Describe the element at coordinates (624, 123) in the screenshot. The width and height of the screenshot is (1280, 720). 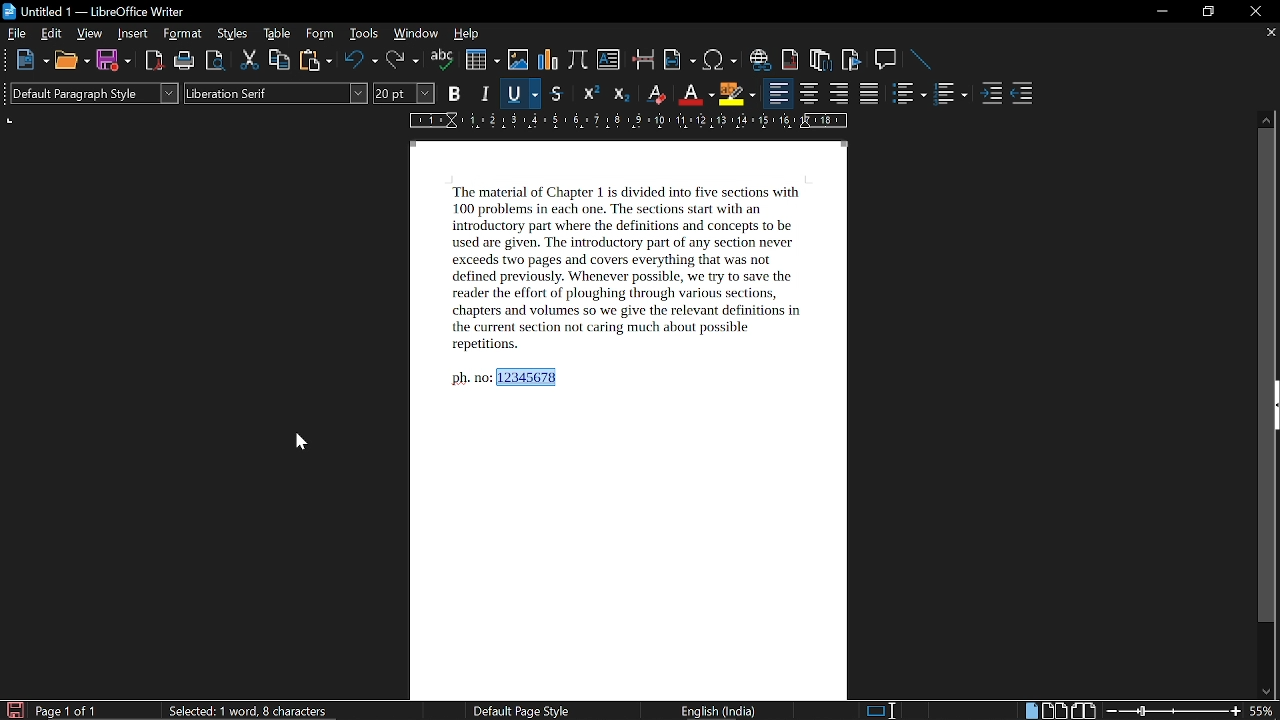
I see `scale` at that location.